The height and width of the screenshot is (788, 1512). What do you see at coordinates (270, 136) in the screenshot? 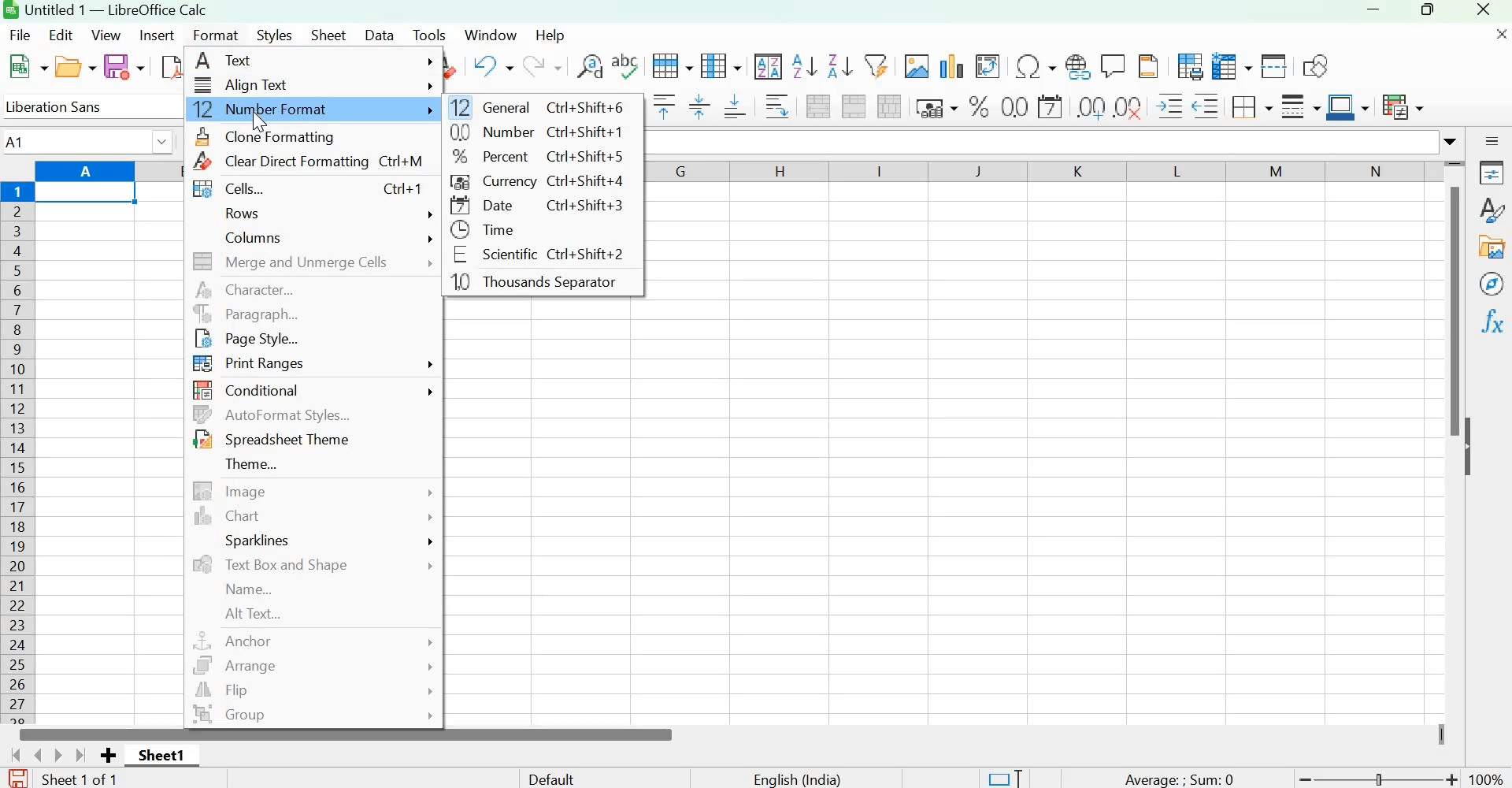
I see `Clone formatting` at bounding box center [270, 136].